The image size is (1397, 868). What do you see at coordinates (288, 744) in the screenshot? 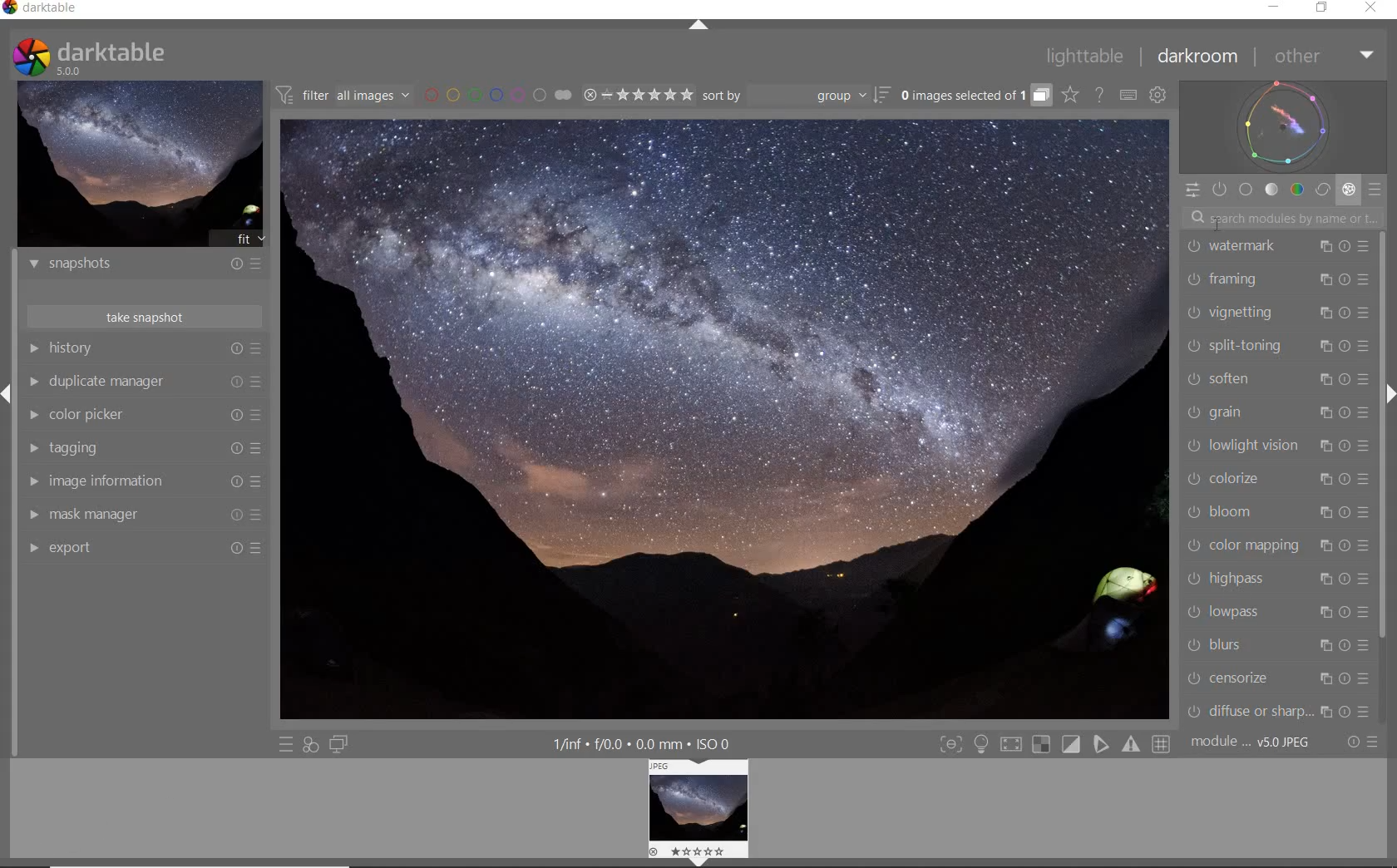
I see `QUICK ACCESS TO PRESET` at bounding box center [288, 744].